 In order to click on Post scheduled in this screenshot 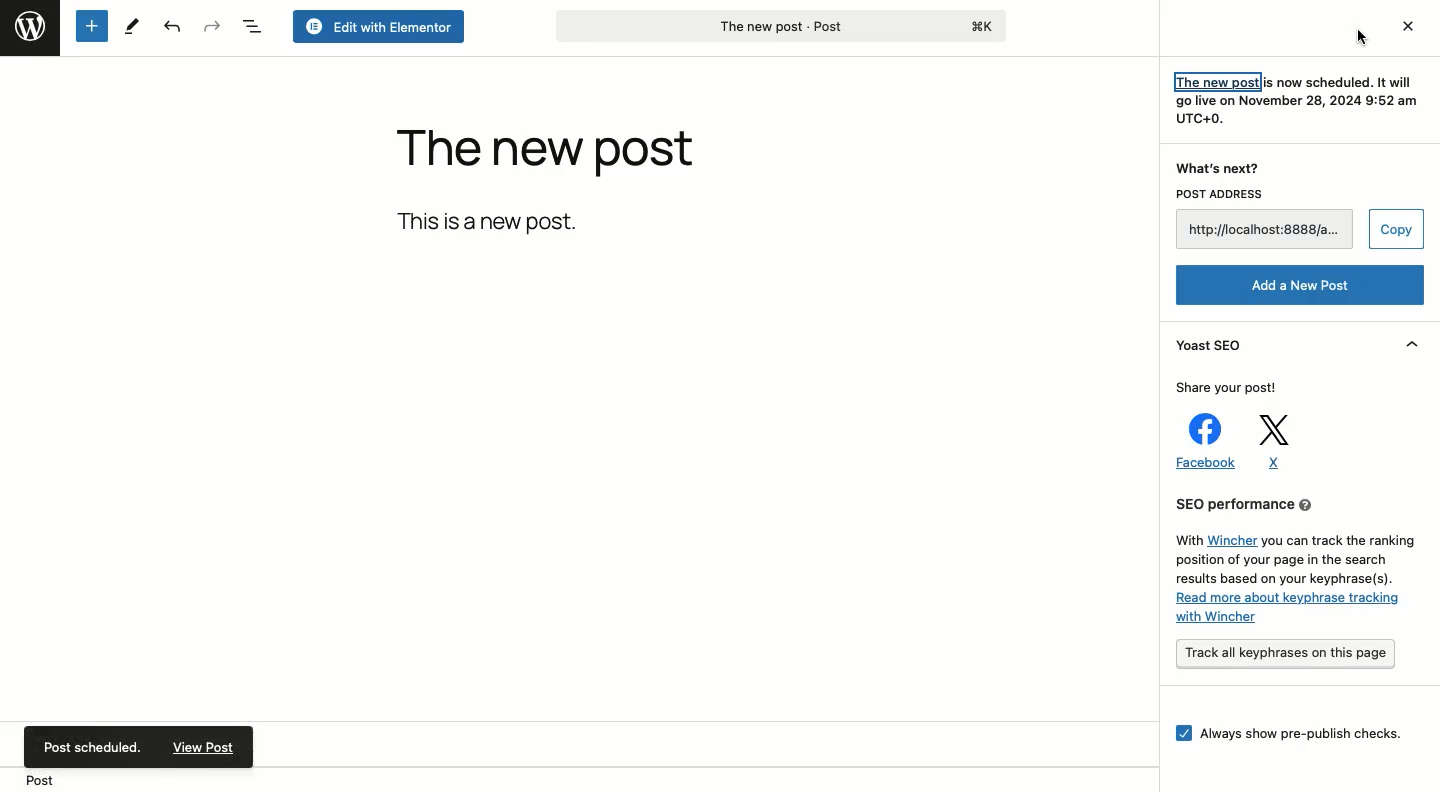, I will do `click(92, 744)`.